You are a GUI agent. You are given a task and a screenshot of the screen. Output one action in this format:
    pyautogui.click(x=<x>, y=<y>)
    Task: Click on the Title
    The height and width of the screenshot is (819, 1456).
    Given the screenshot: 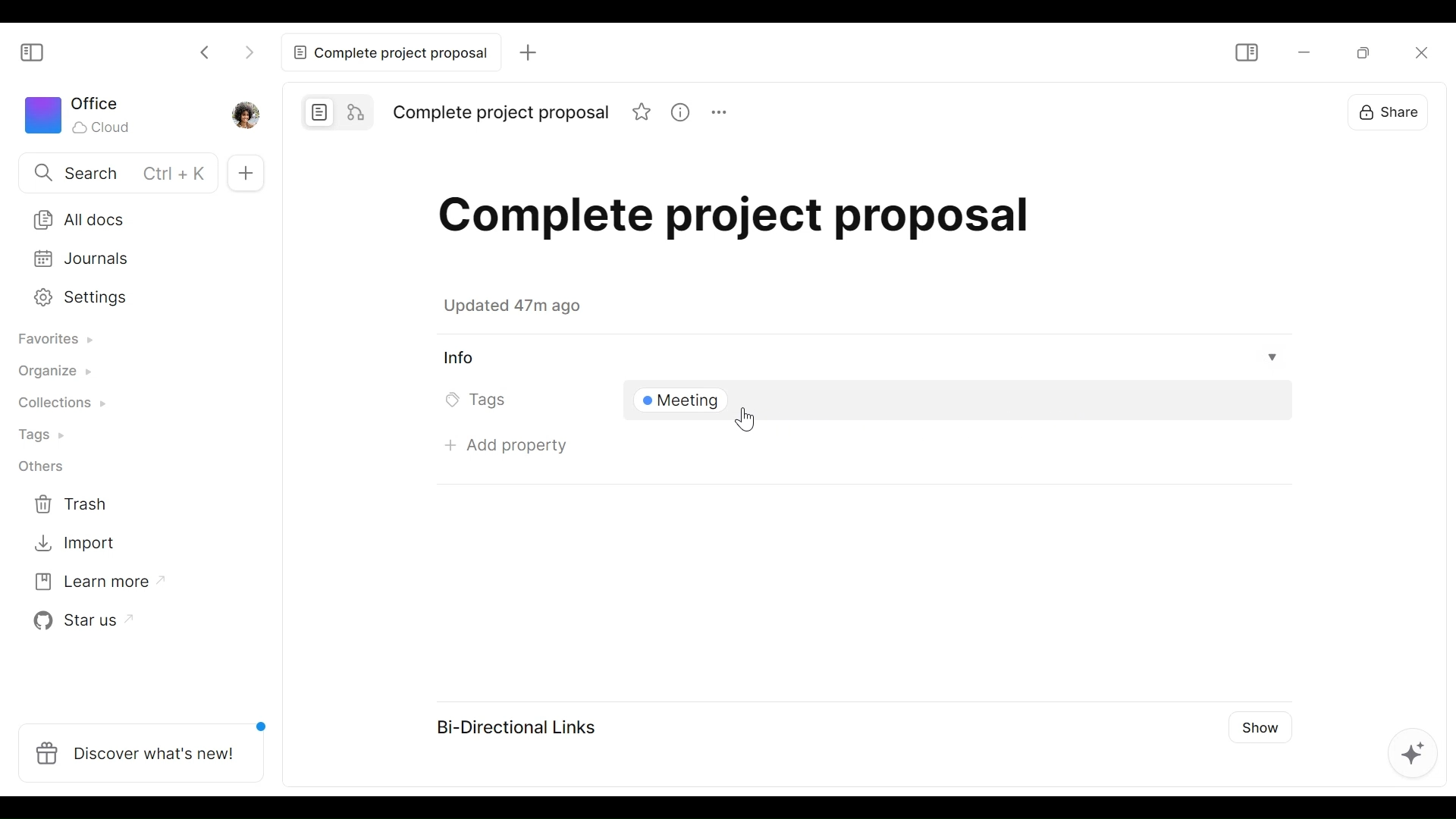 What is the action you would take?
    pyautogui.click(x=502, y=114)
    